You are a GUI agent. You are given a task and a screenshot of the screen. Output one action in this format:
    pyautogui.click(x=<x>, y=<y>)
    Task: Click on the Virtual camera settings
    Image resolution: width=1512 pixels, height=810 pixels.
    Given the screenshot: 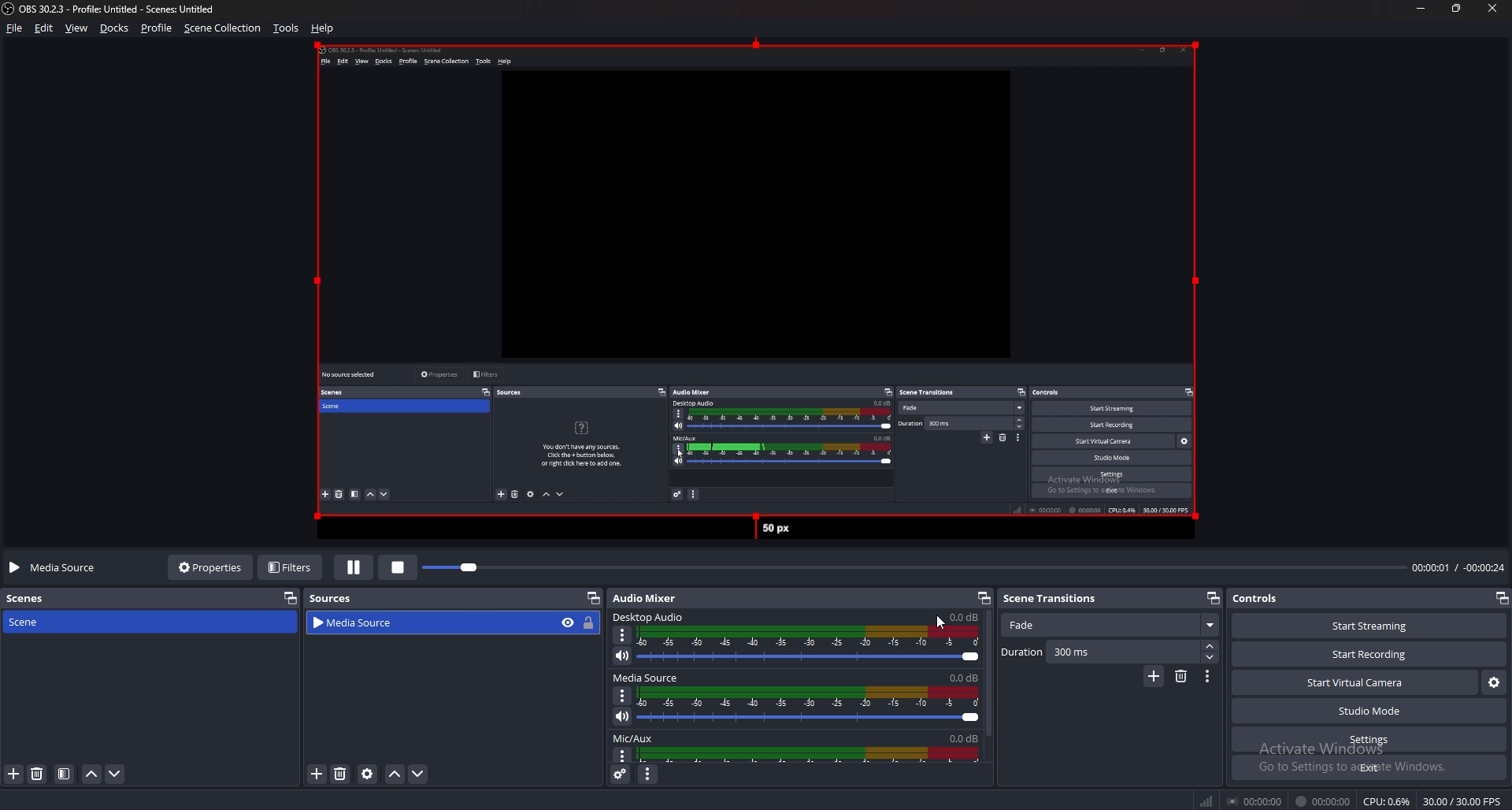 What is the action you would take?
    pyautogui.click(x=1494, y=683)
    